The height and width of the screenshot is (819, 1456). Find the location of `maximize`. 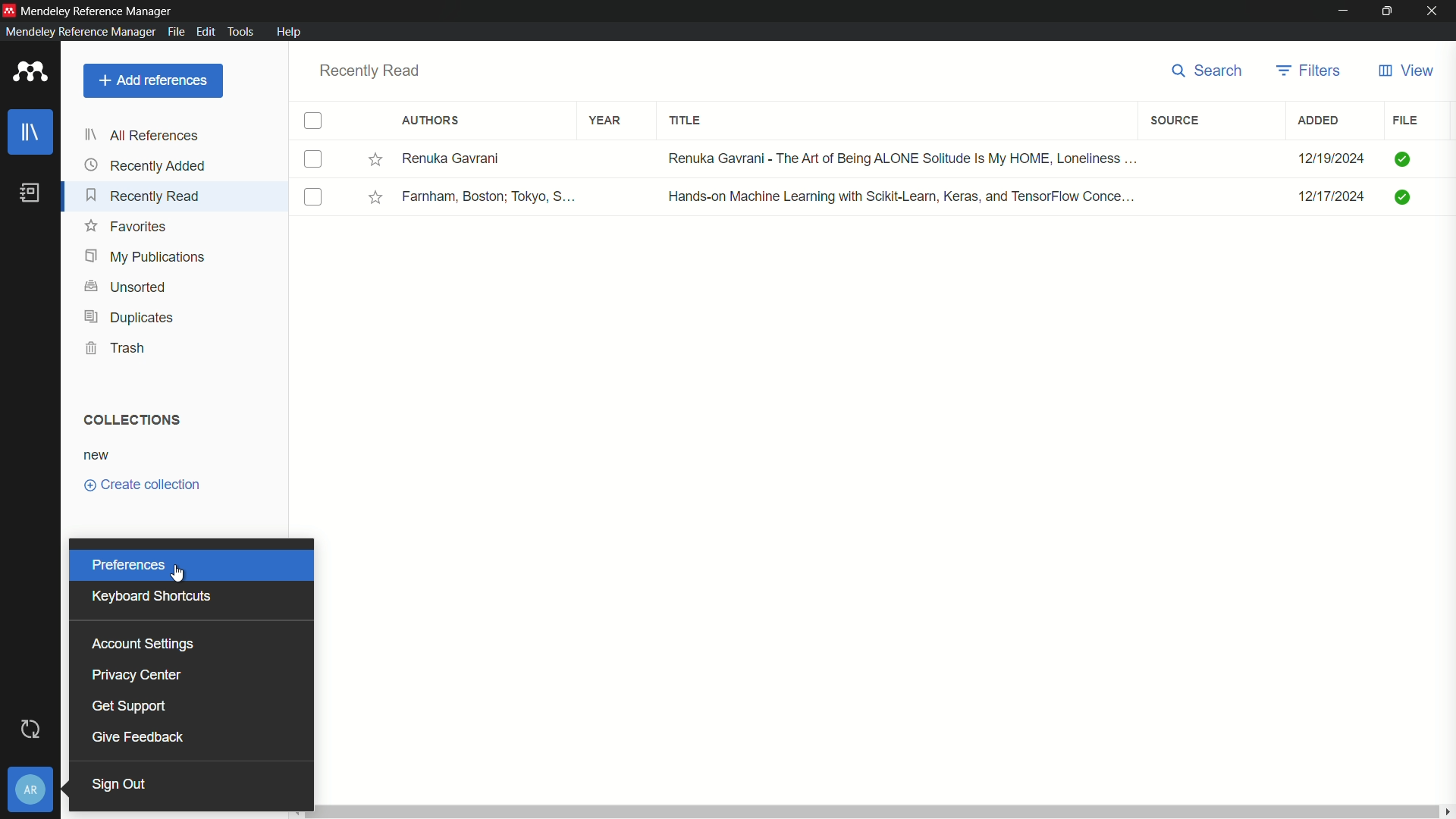

maximize is located at coordinates (1389, 11).